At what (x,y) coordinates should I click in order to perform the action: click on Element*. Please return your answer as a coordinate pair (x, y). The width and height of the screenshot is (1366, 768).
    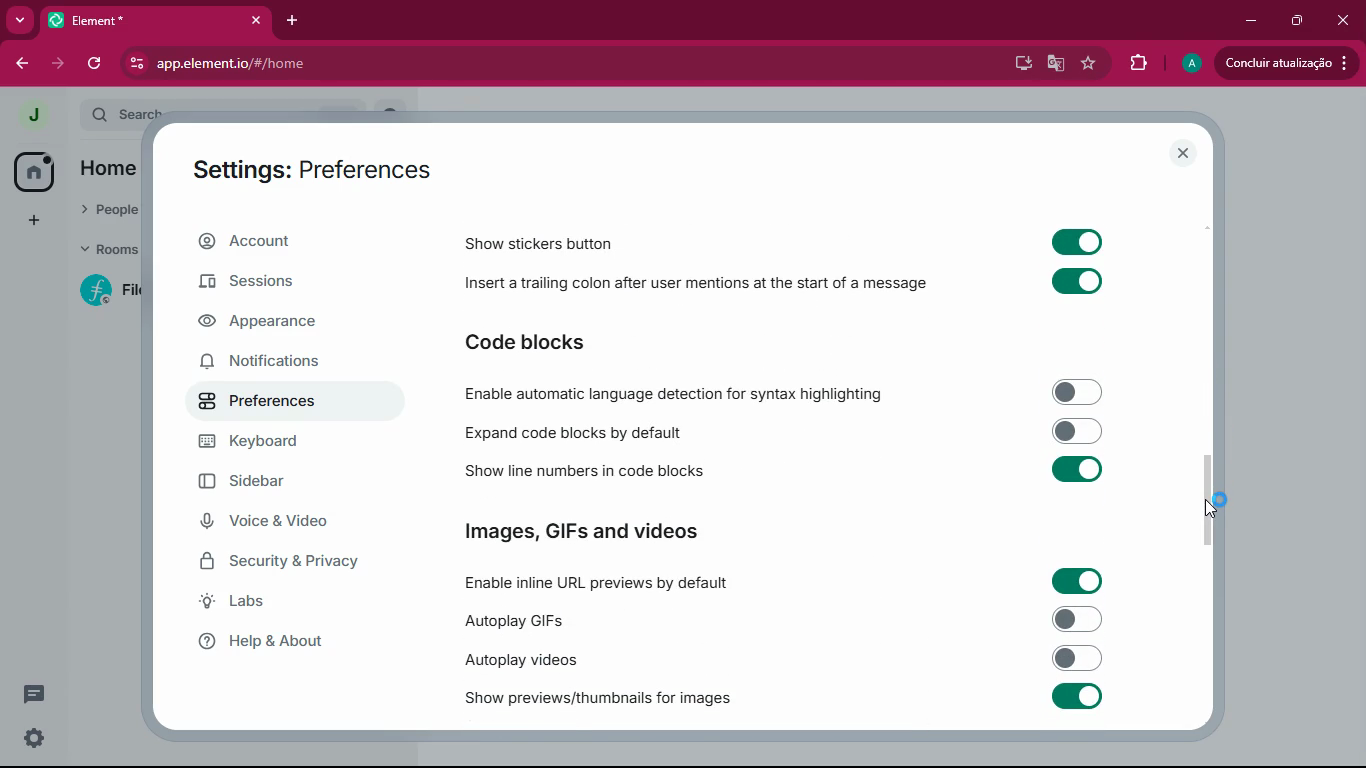
    Looking at the image, I should click on (127, 20).